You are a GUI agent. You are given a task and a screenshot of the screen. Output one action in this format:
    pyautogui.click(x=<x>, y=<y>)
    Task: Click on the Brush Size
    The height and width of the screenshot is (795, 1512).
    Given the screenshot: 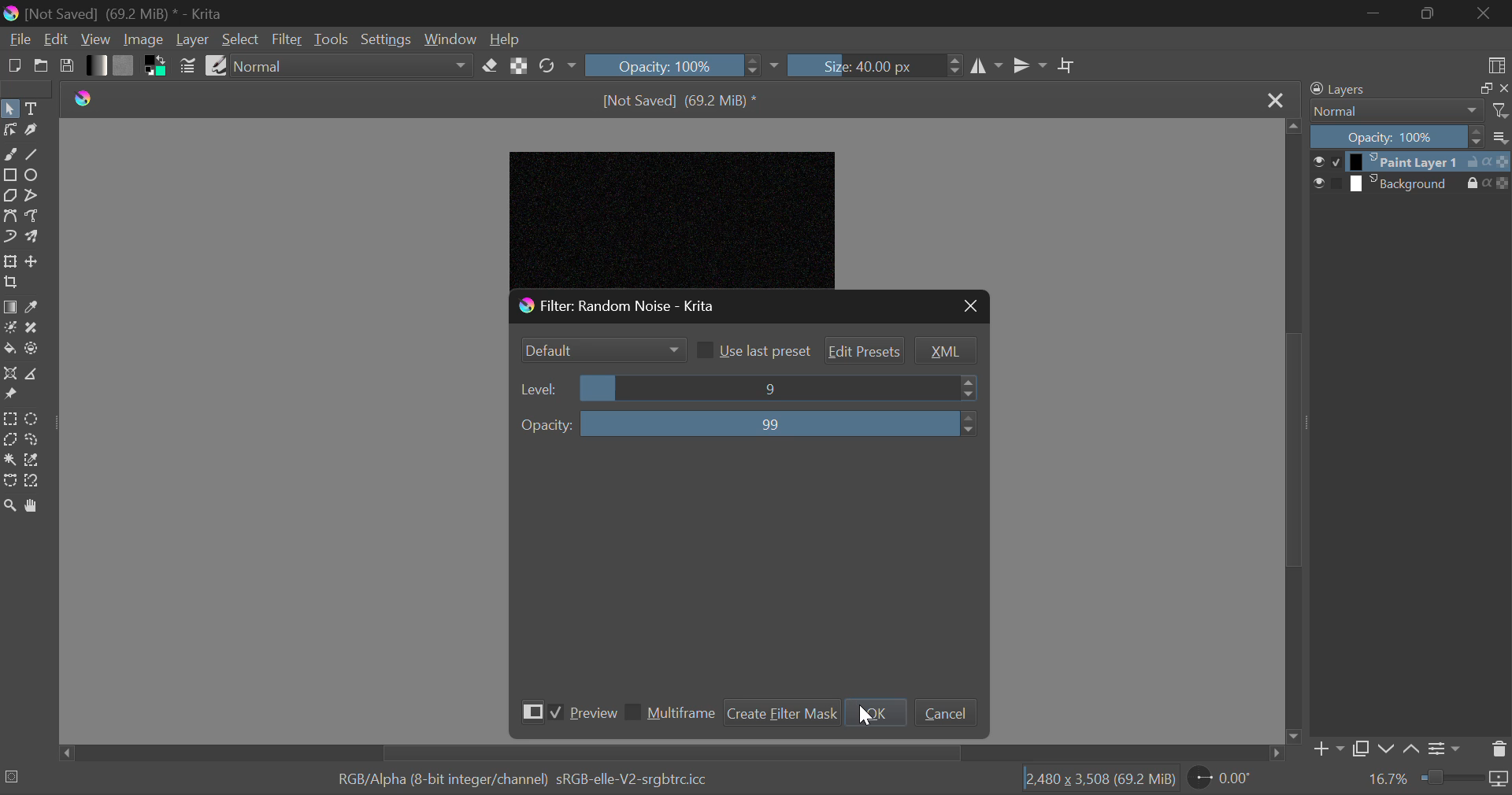 What is the action you would take?
    pyautogui.click(x=875, y=65)
    